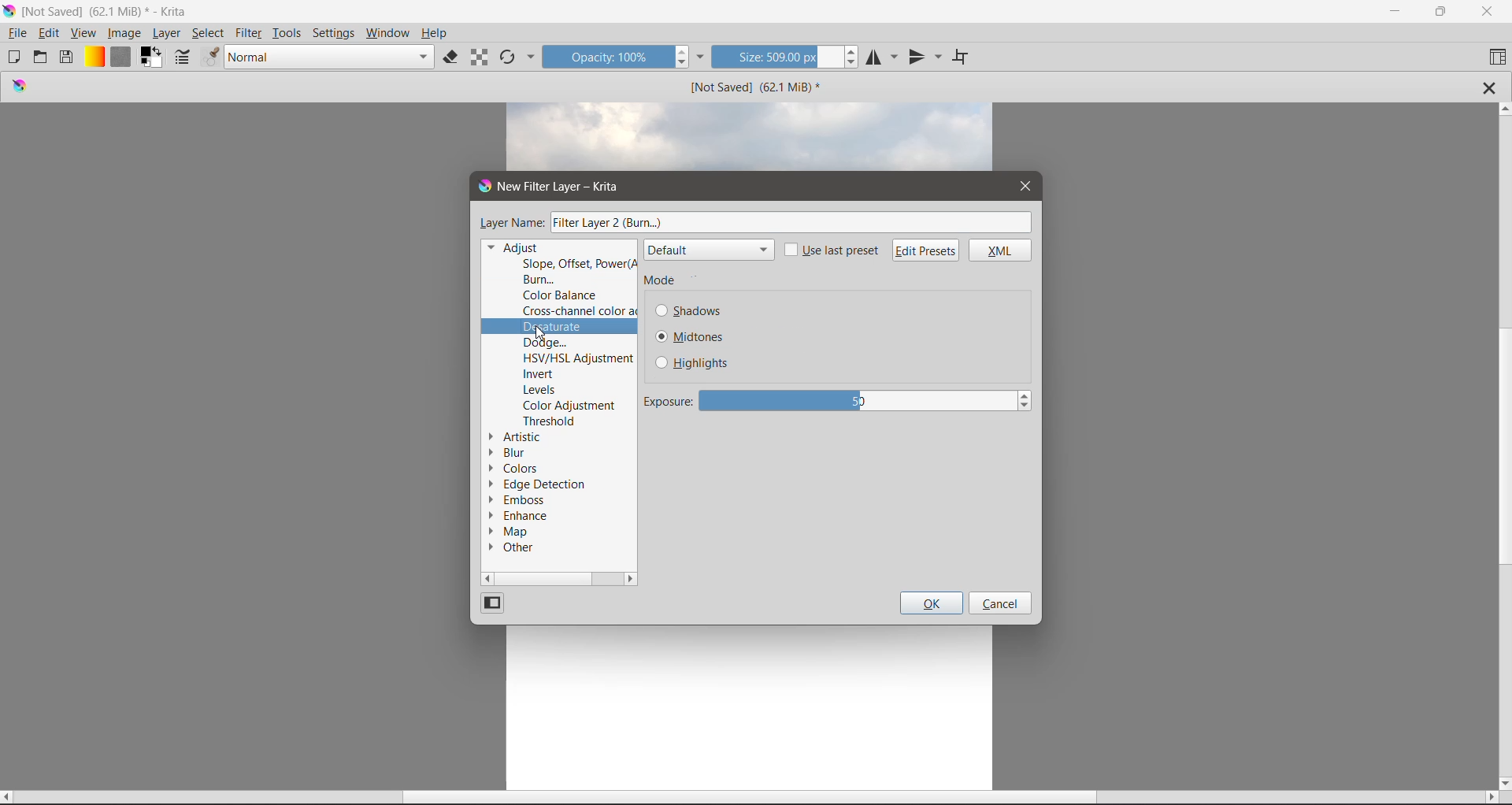 The height and width of the screenshot is (805, 1512). I want to click on Dodge, so click(546, 343).